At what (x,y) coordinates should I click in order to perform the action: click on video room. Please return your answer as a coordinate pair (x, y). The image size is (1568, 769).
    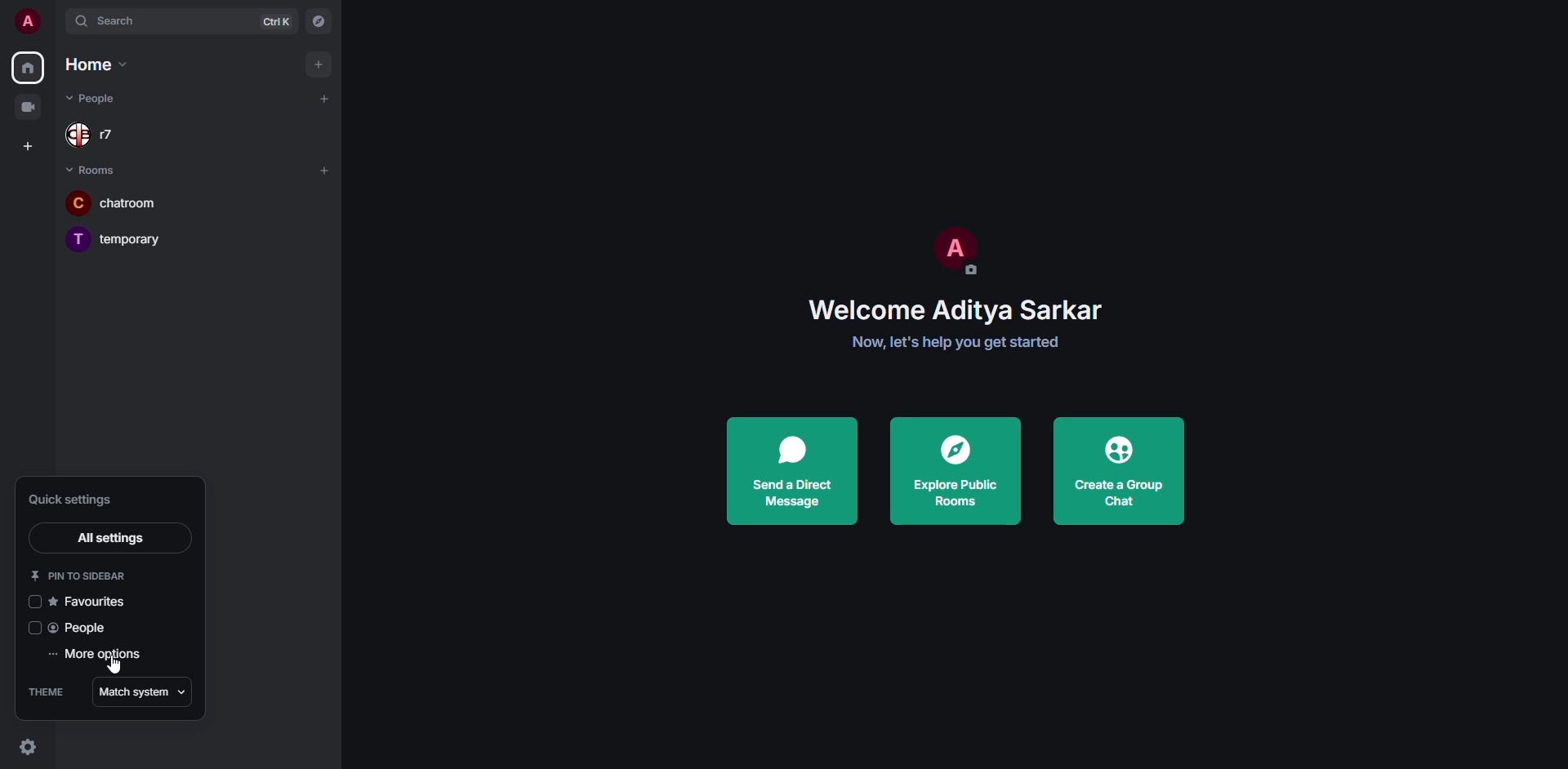
    Looking at the image, I should click on (29, 106).